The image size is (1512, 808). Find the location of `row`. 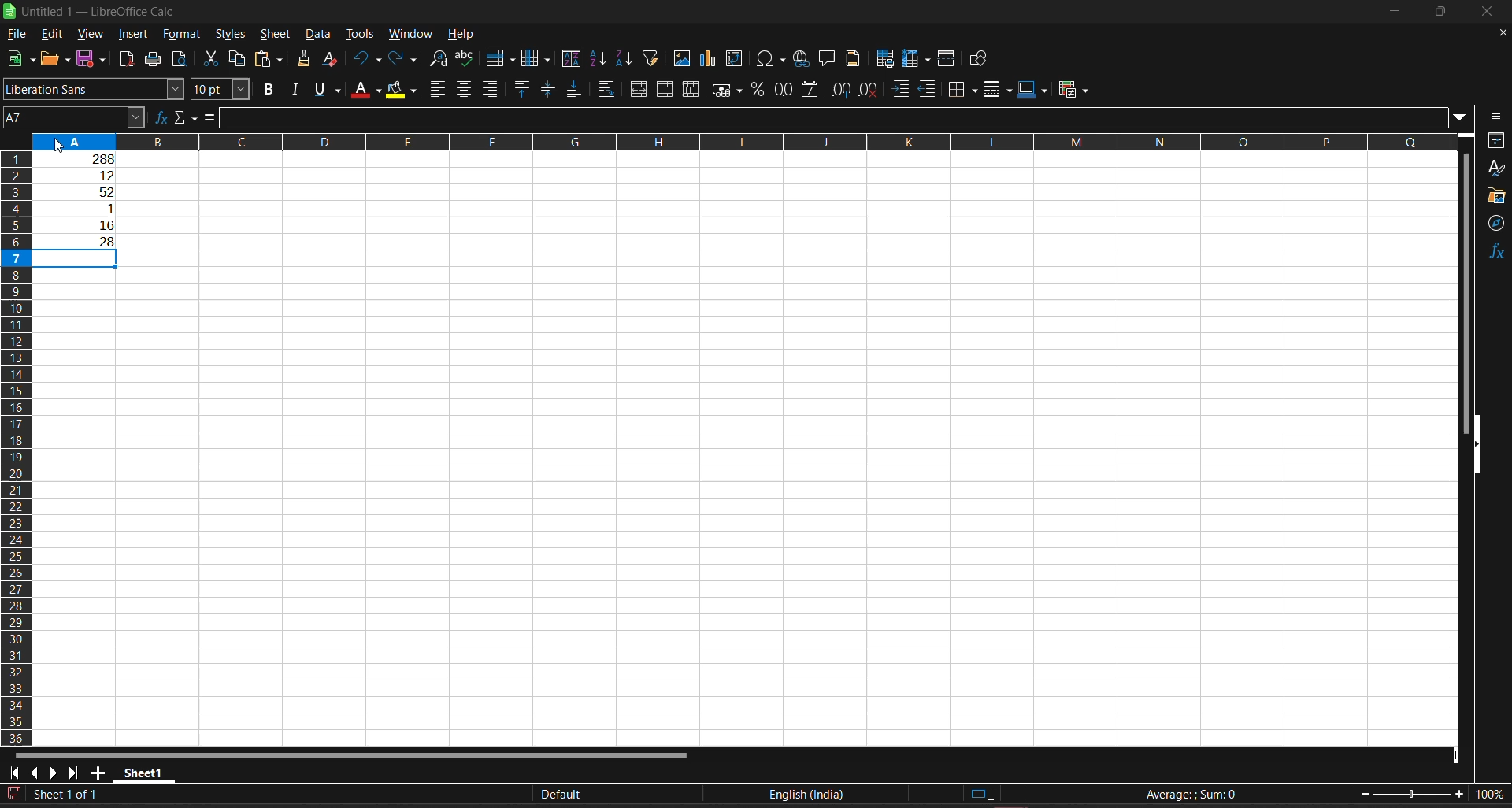

row is located at coordinates (501, 58).